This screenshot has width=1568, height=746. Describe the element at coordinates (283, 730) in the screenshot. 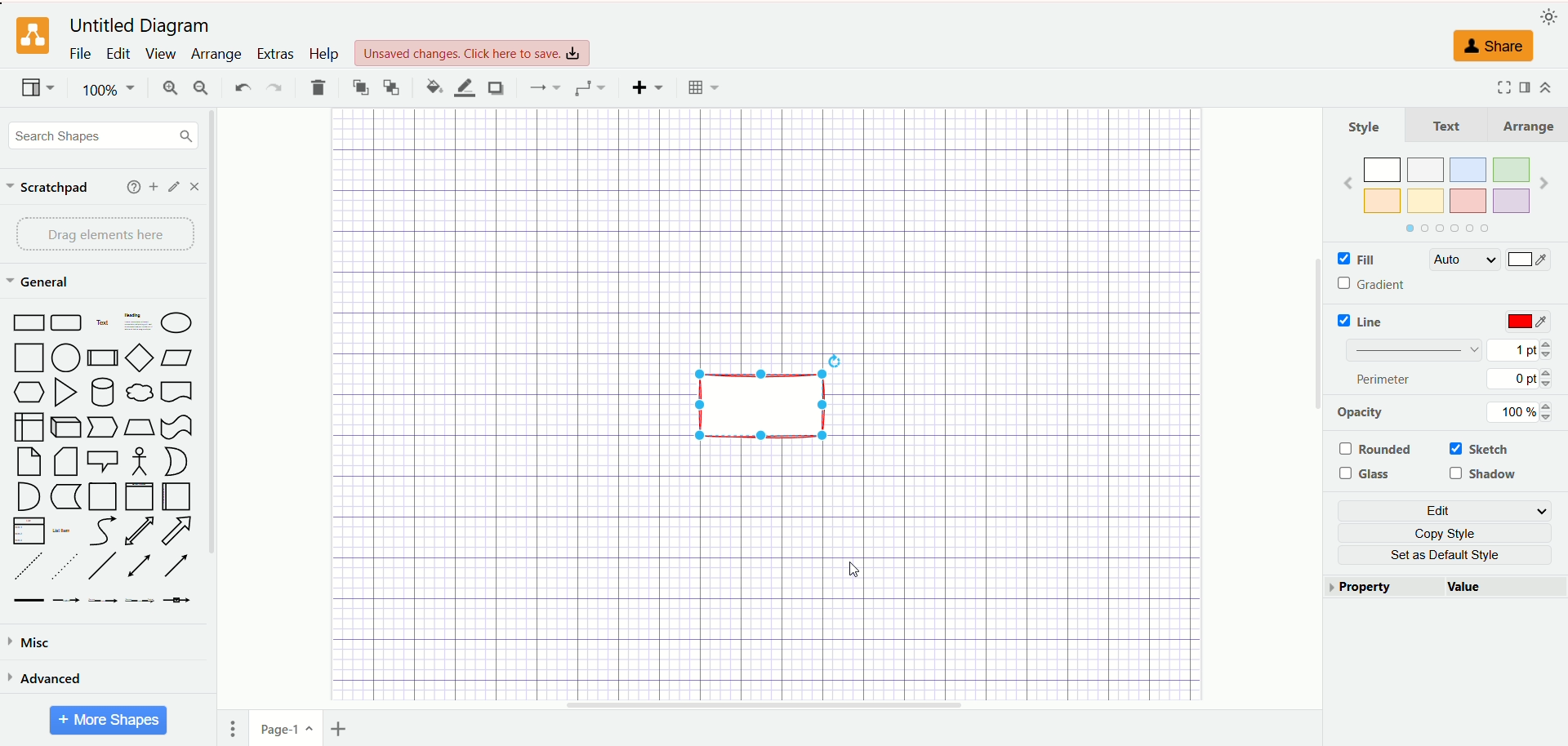

I see `page-1` at that location.